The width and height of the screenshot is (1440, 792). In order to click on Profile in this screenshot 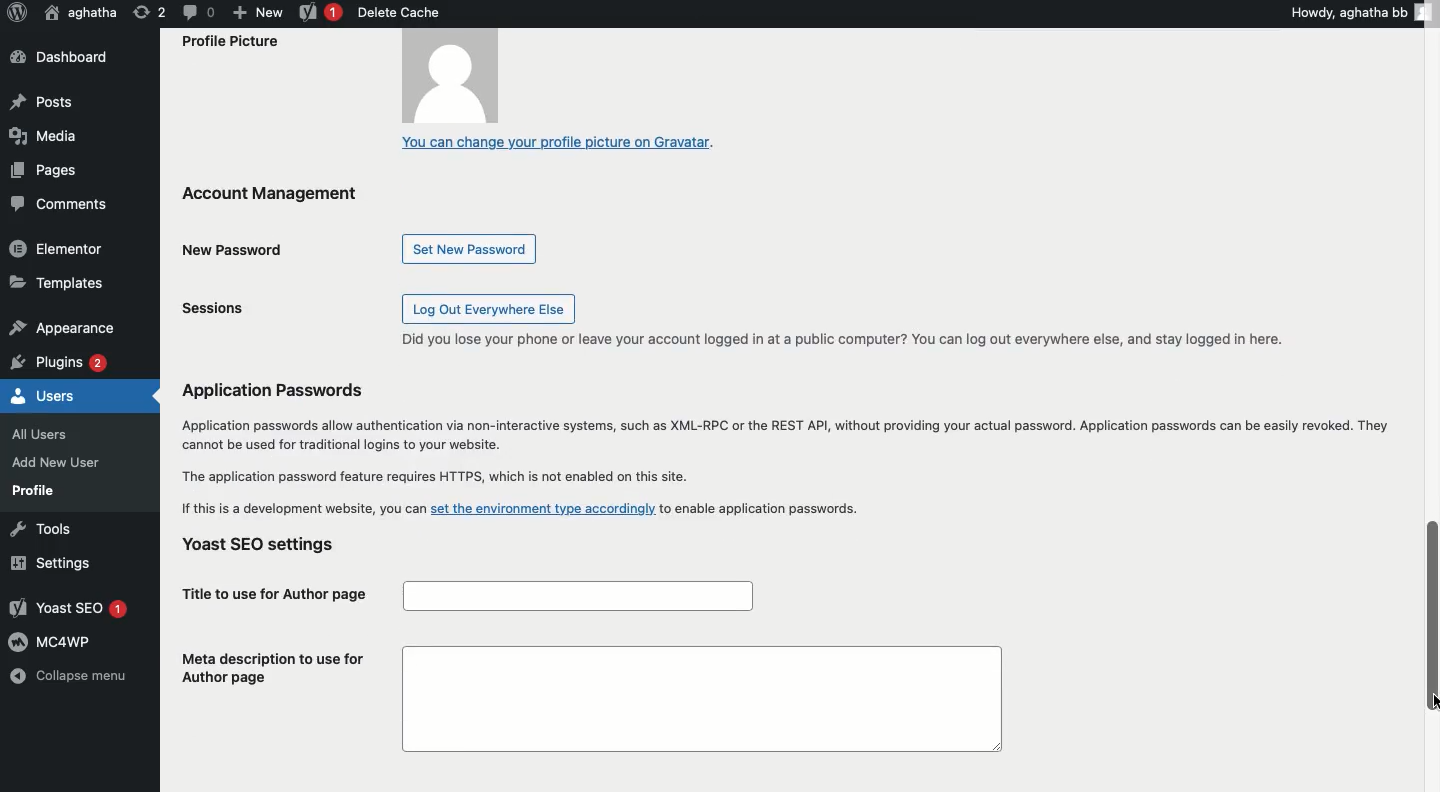, I will do `click(34, 490)`.